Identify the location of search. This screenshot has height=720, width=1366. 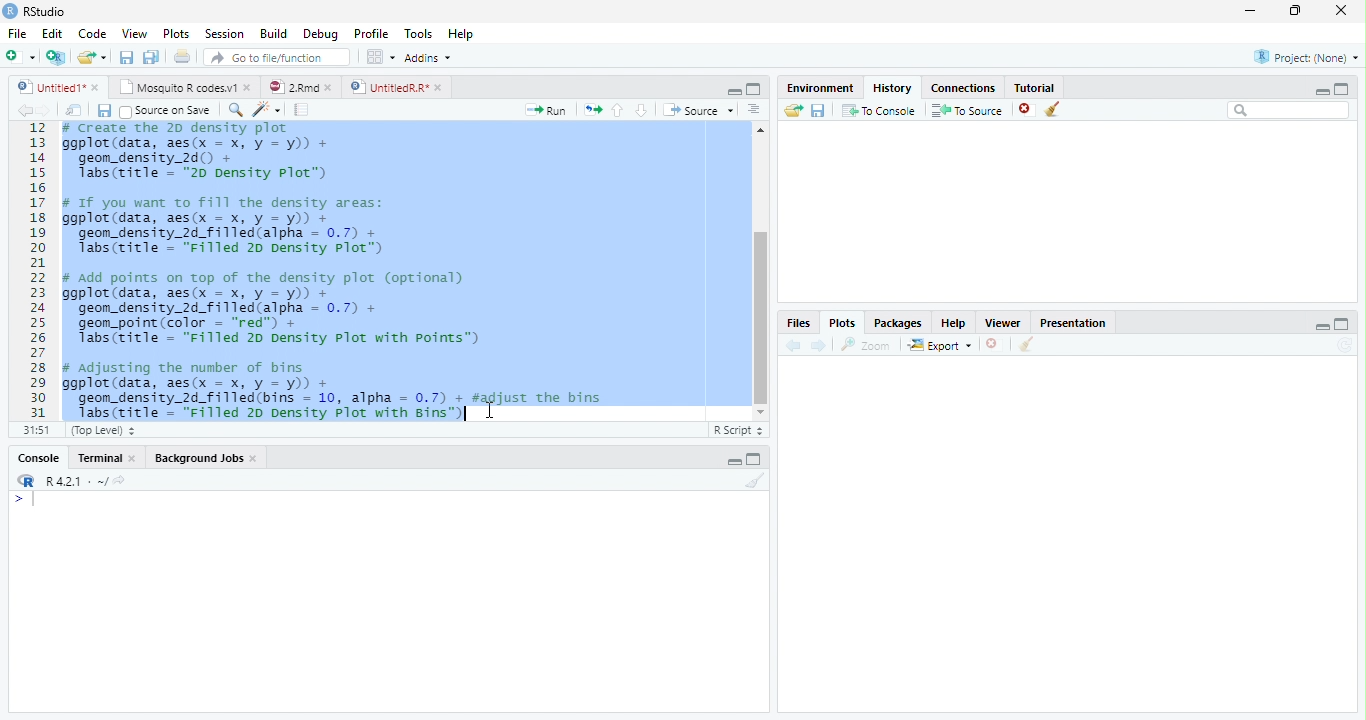
(232, 109).